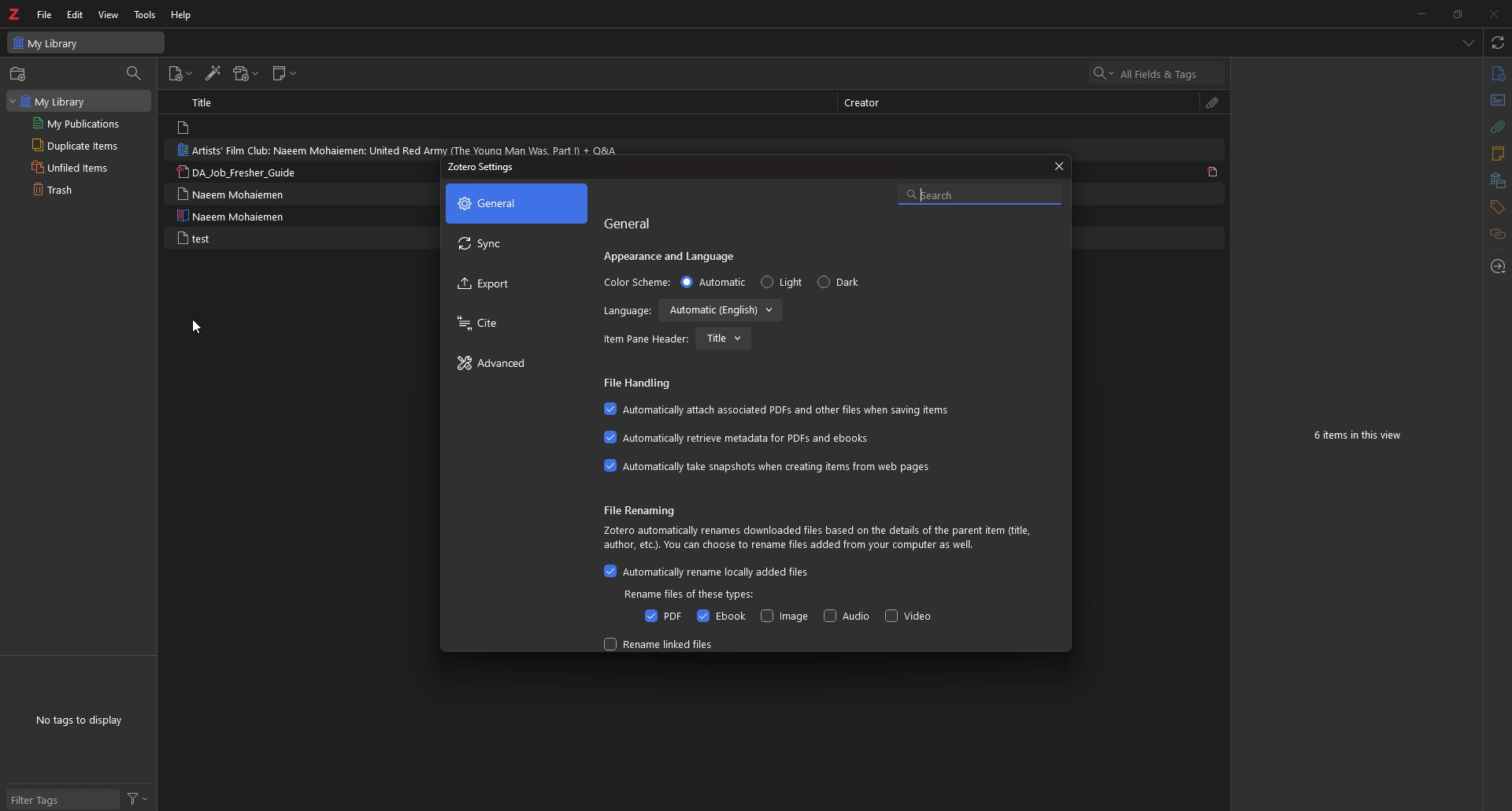 Image resolution: width=1512 pixels, height=811 pixels. What do you see at coordinates (844, 282) in the screenshot?
I see `dark` at bounding box center [844, 282].